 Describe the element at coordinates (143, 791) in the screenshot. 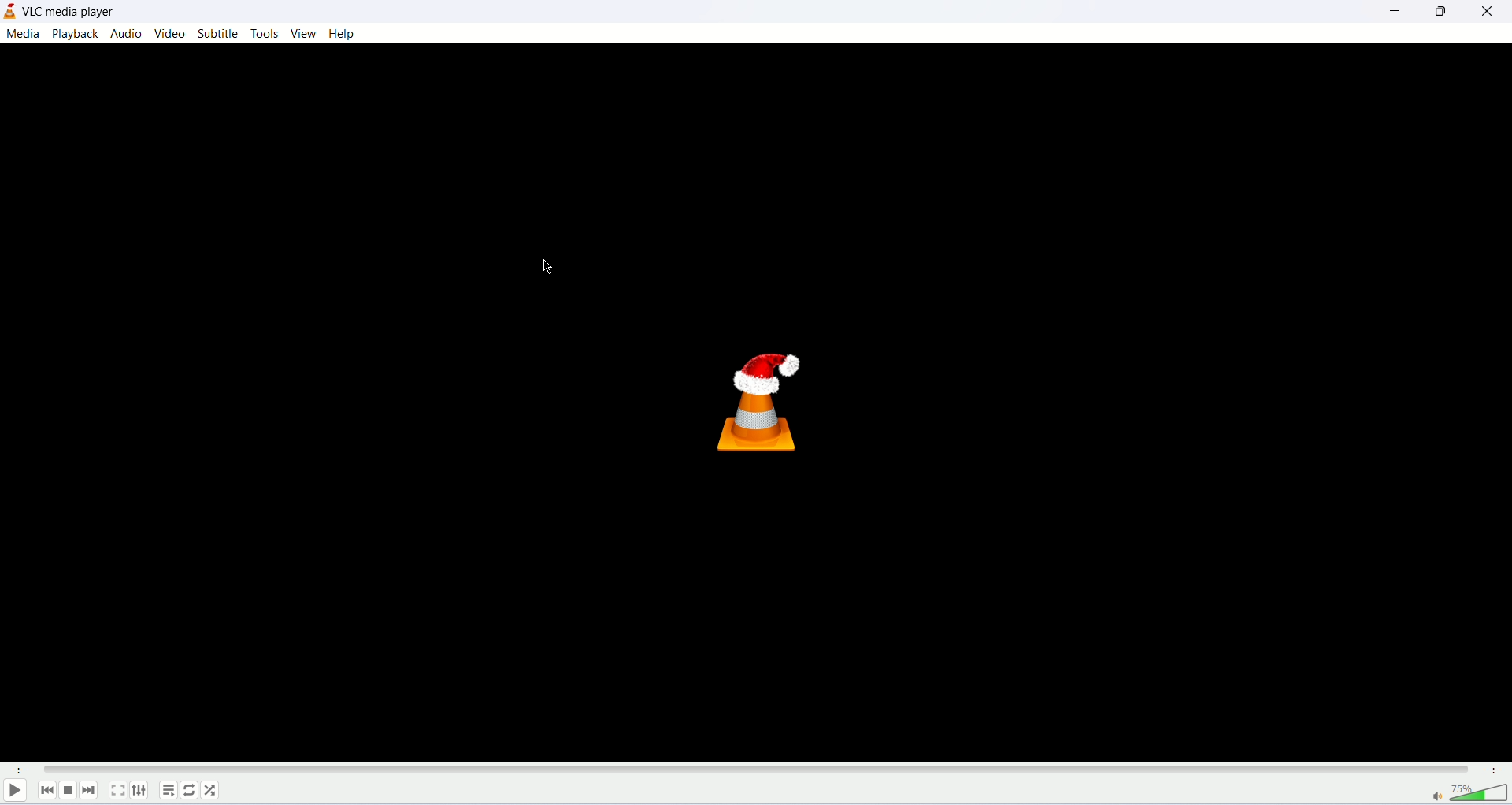

I see `extended settings` at that location.